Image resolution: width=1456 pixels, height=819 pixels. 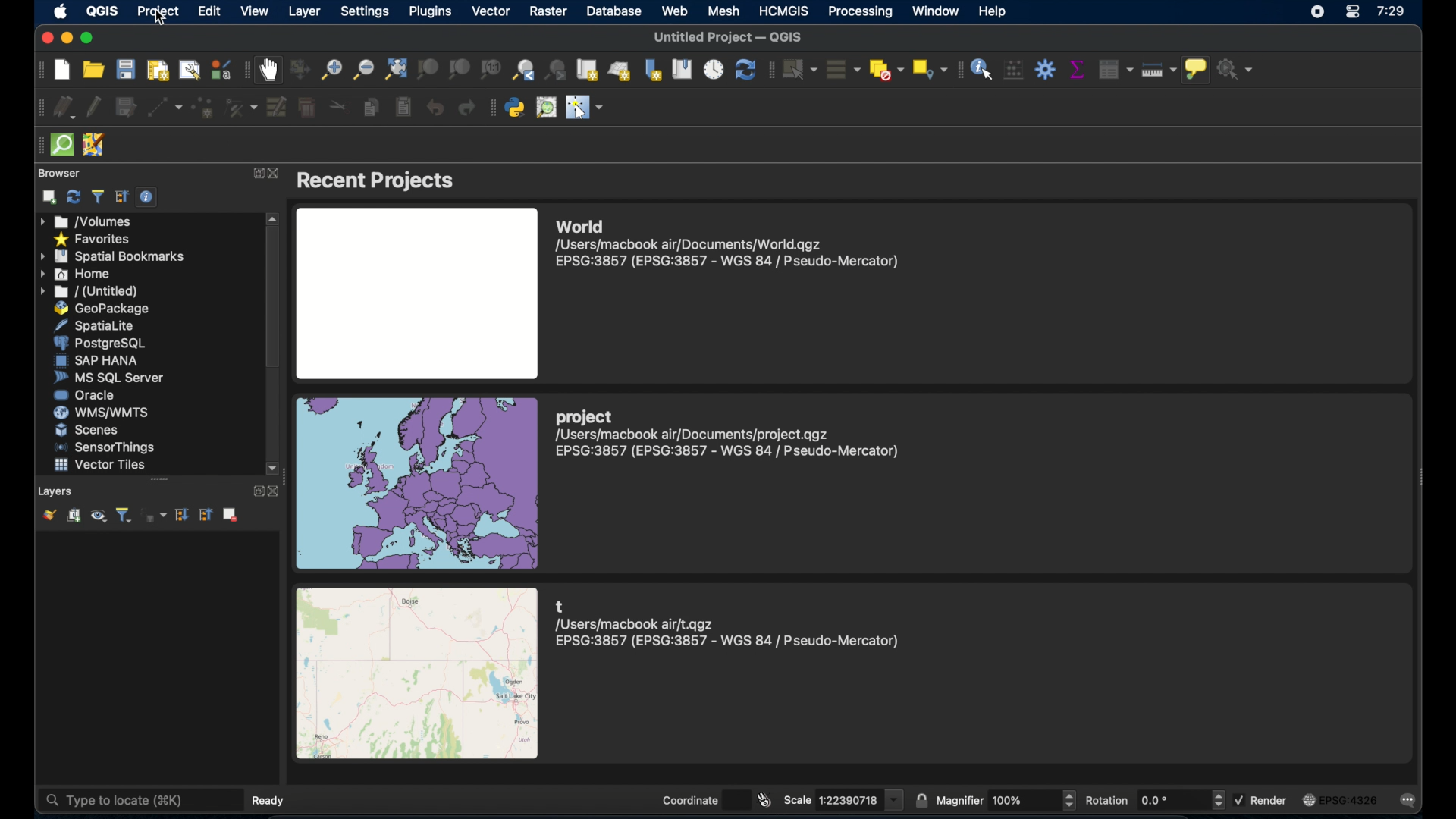 What do you see at coordinates (231, 513) in the screenshot?
I see `remove layer/group` at bounding box center [231, 513].